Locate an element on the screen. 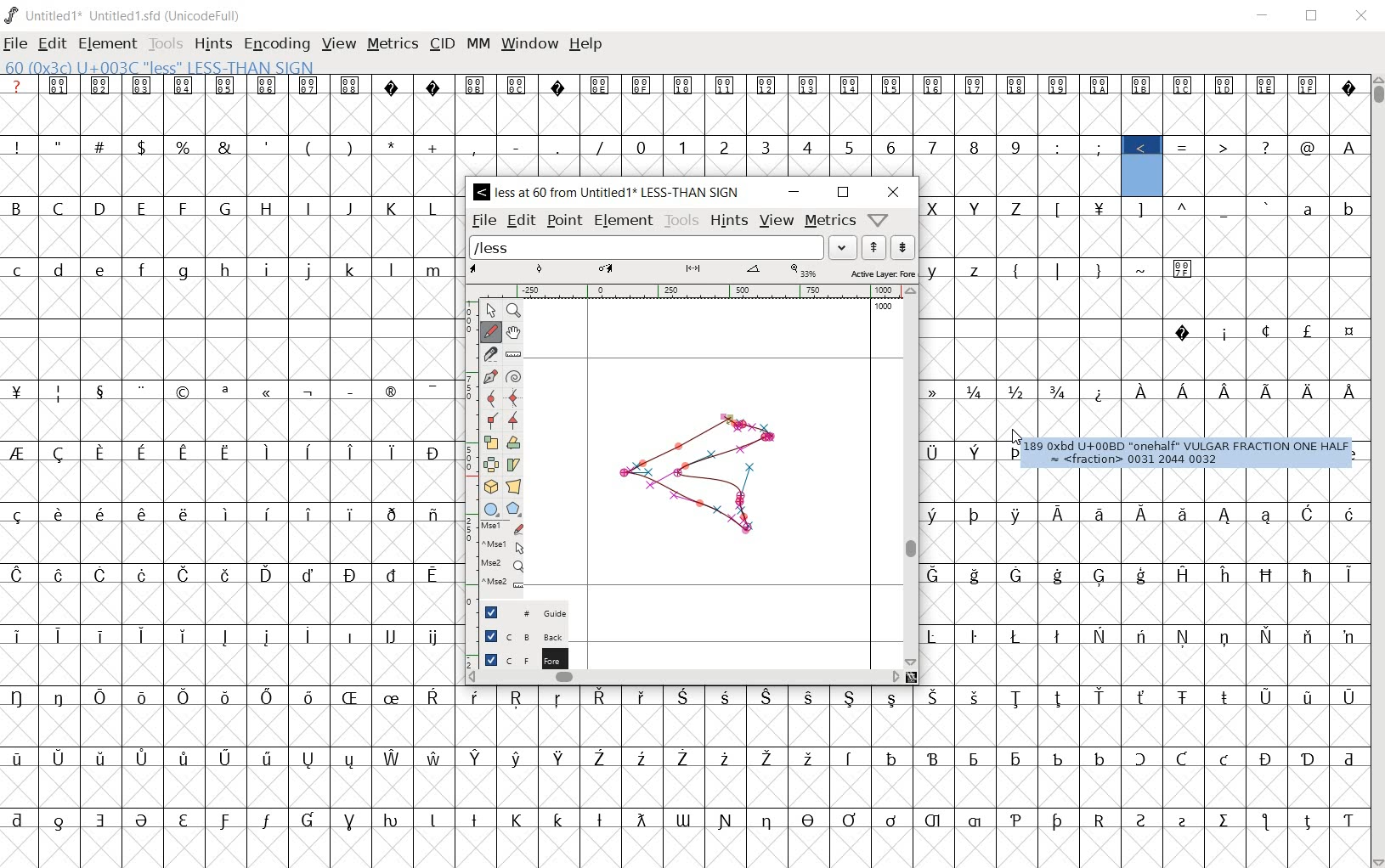  small letters y z is located at coordinates (961, 268).